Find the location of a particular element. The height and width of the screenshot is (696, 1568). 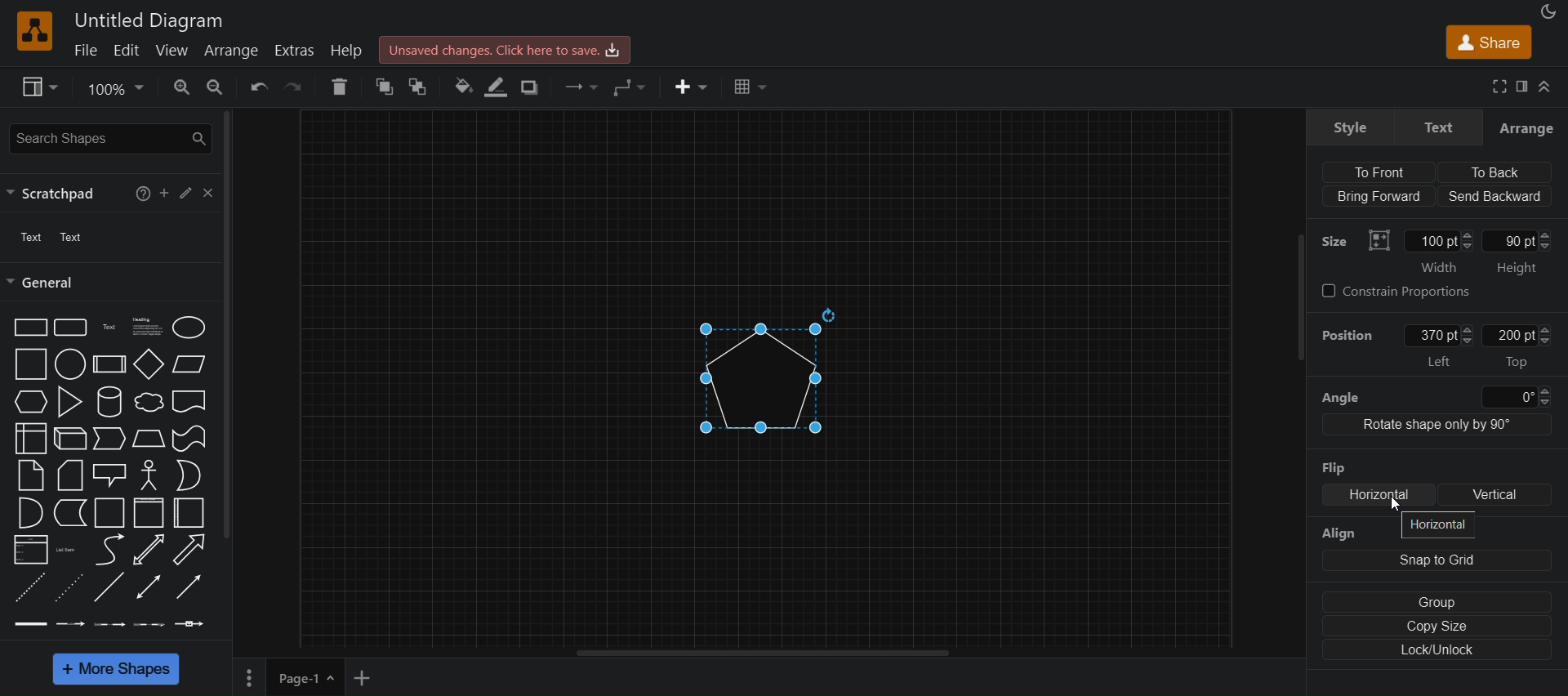

format is located at coordinates (1522, 86).